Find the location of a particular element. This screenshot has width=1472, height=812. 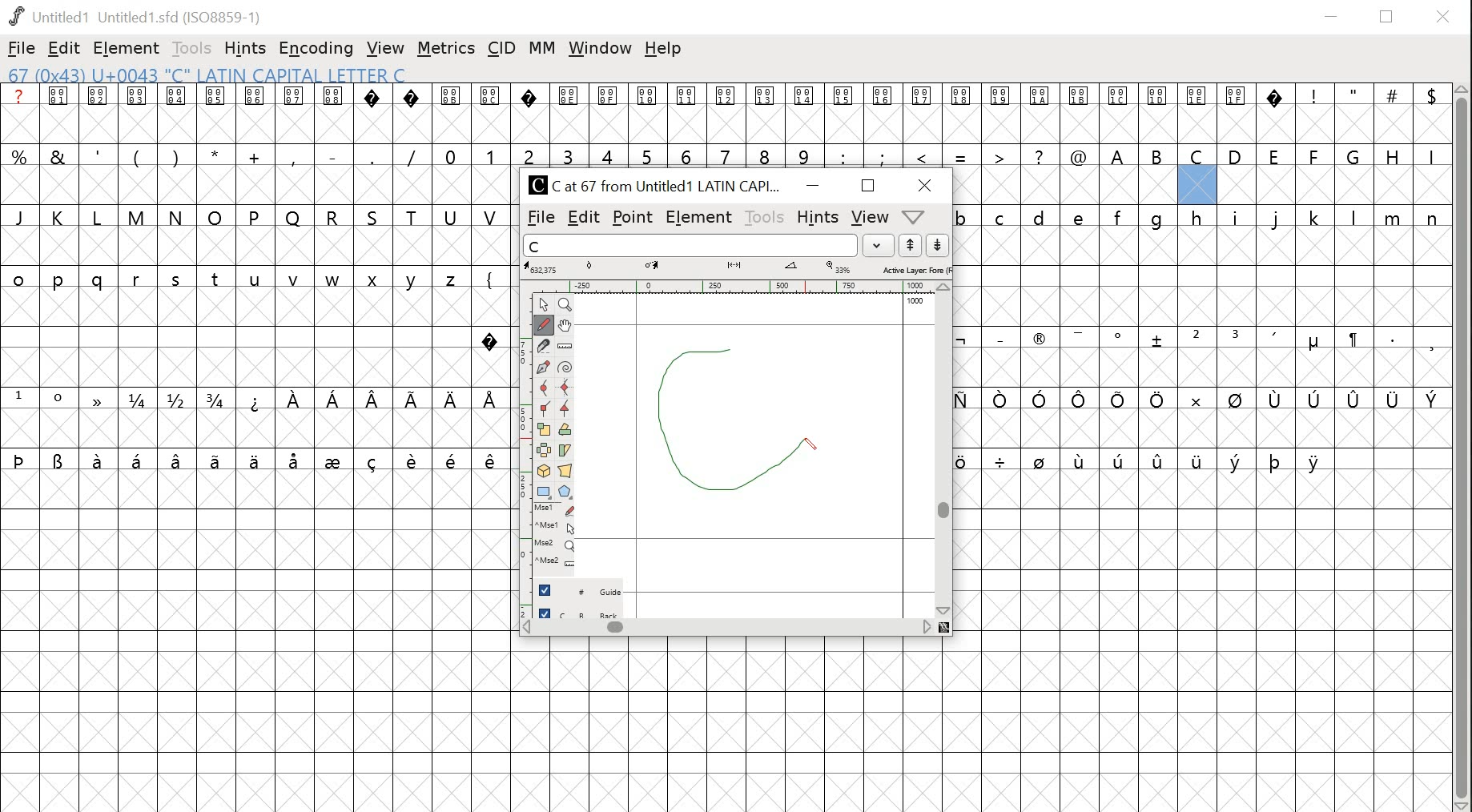

glyphs is located at coordinates (1199, 308).